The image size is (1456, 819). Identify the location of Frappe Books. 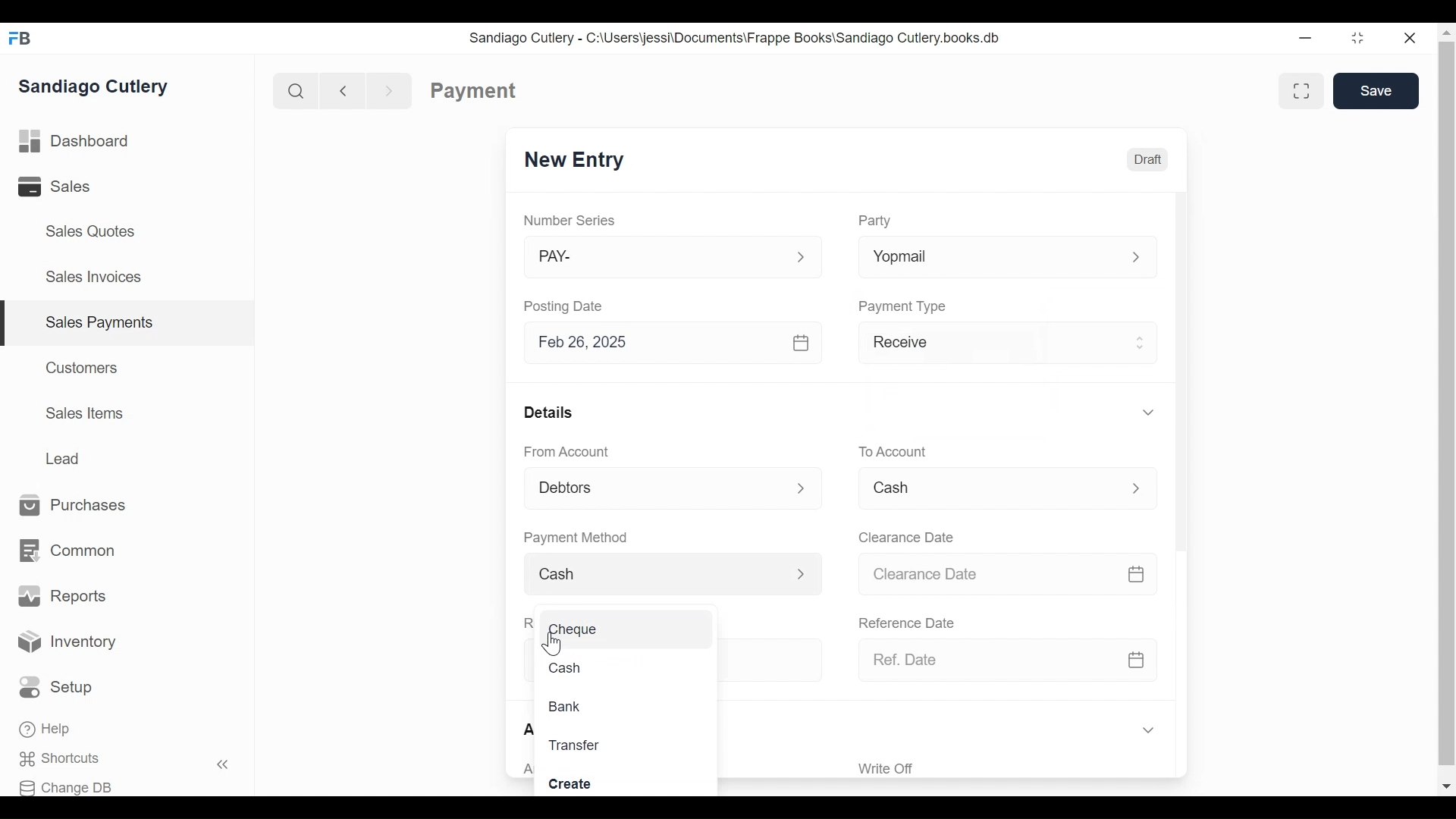
(21, 38).